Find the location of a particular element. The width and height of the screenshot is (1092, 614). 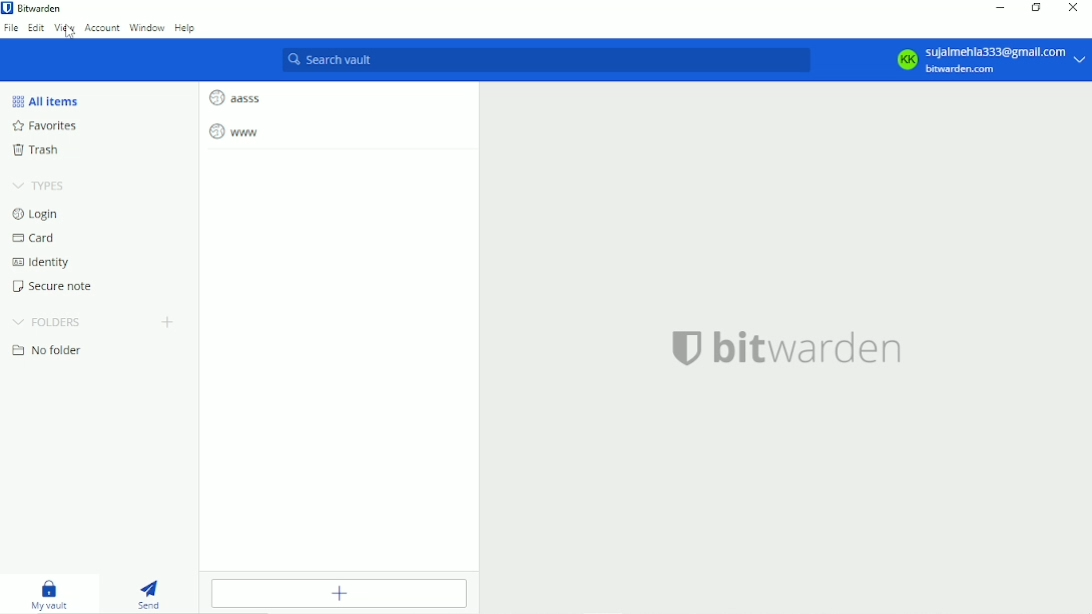

Minimize is located at coordinates (997, 9).